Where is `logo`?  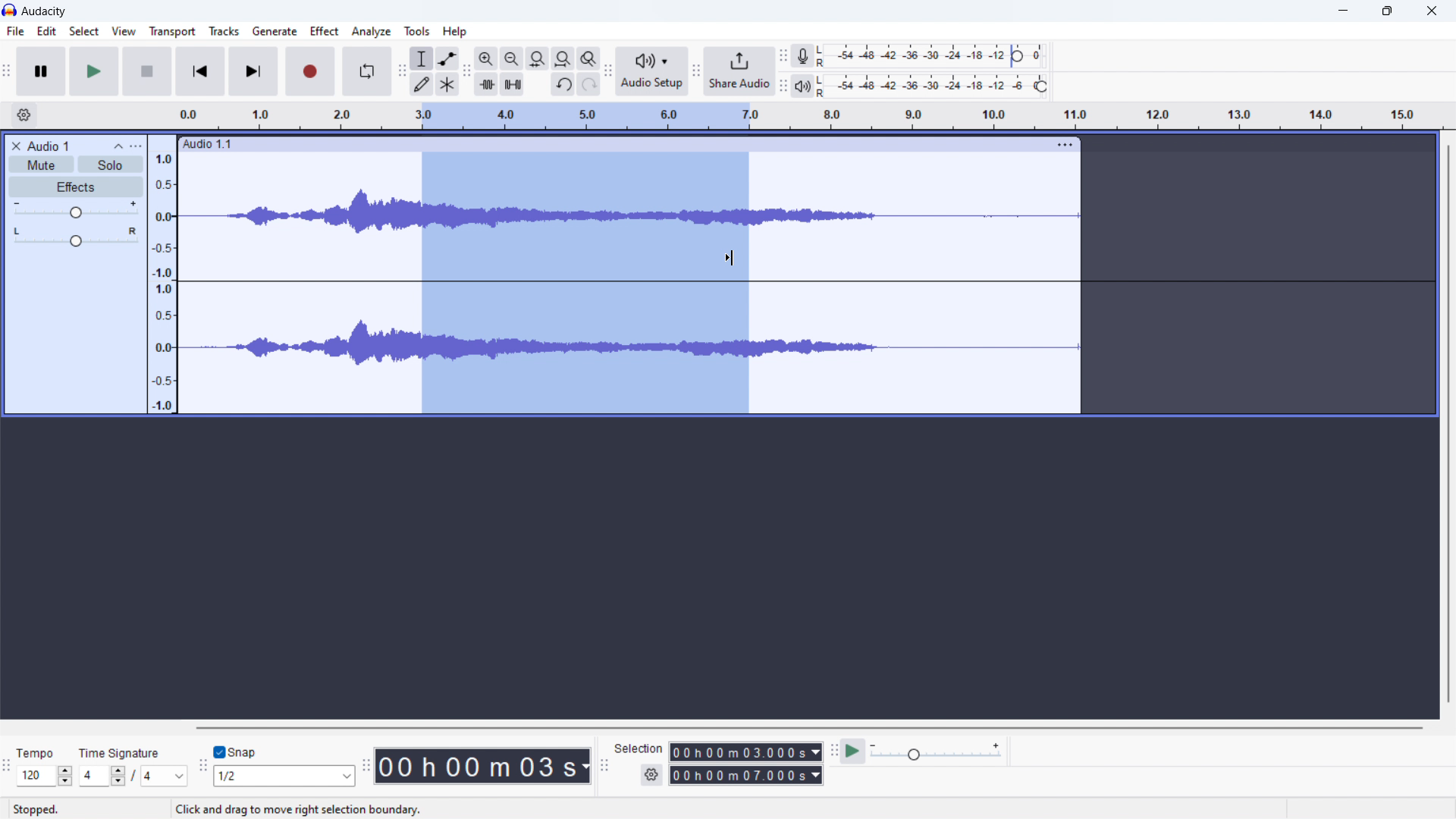 logo is located at coordinates (11, 10).